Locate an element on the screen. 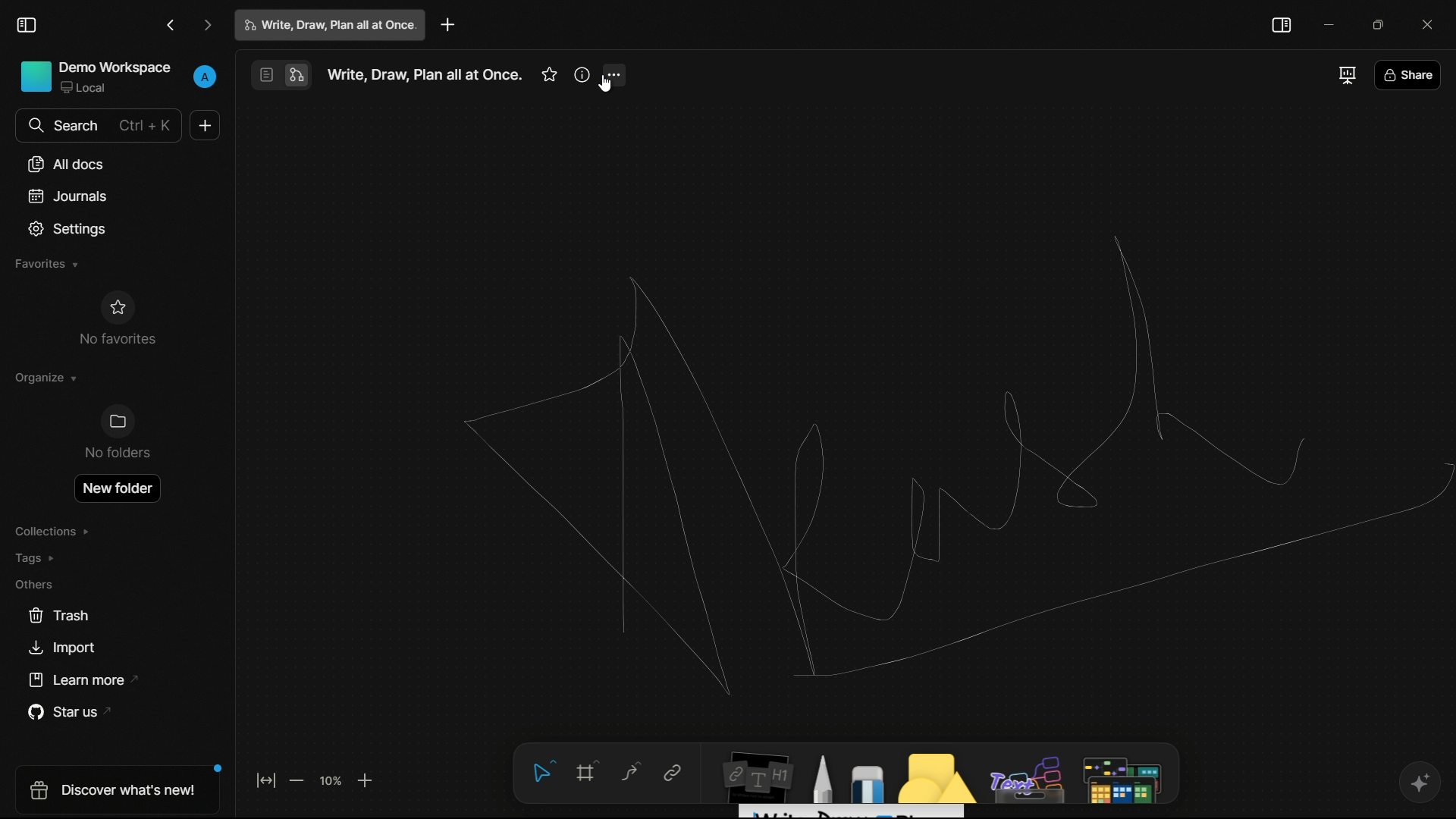 This screenshot has width=1456, height=819. write, draw, plan all at once is located at coordinates (331, 26).